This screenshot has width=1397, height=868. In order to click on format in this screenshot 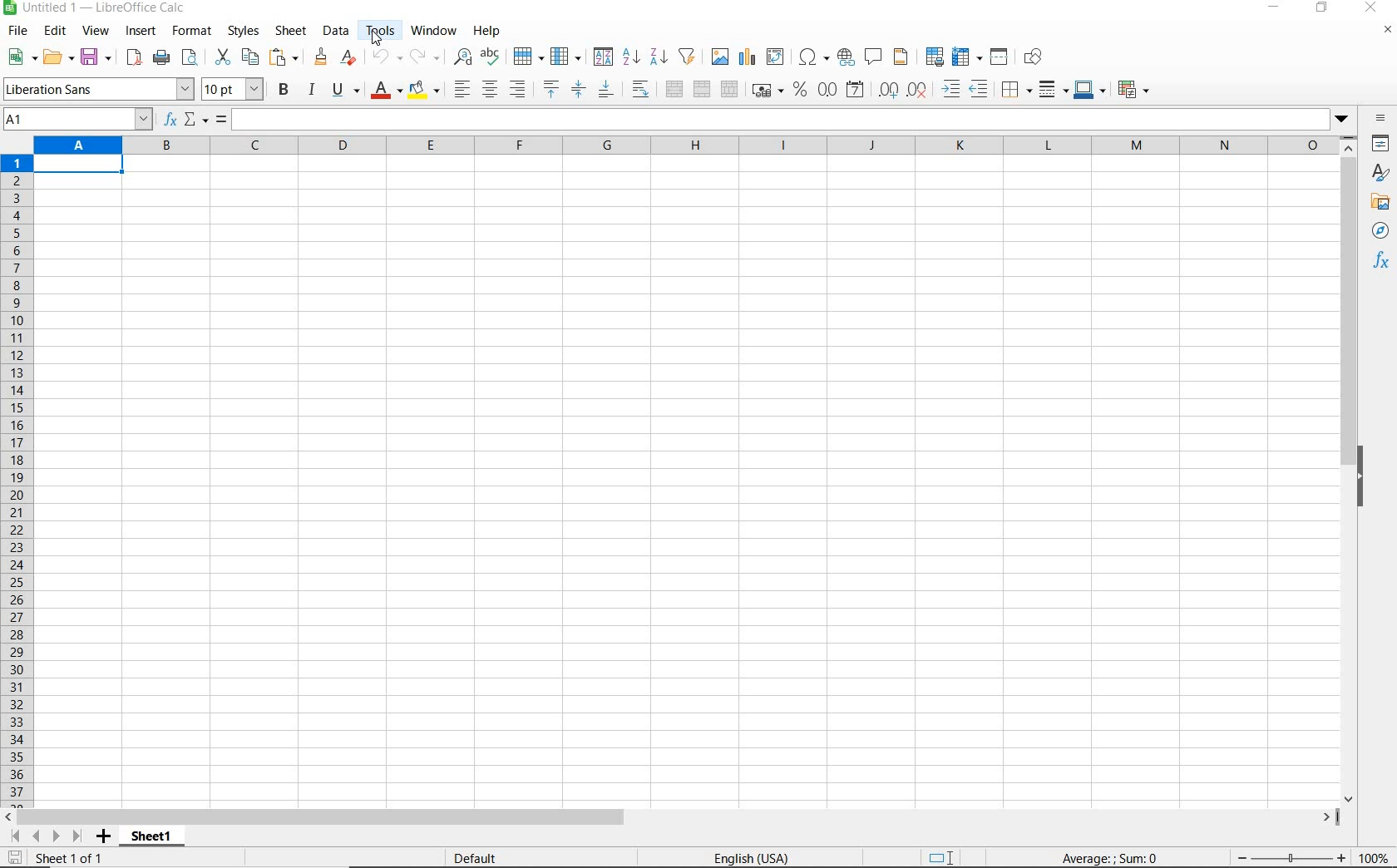, I will do `click(192, 32)`.